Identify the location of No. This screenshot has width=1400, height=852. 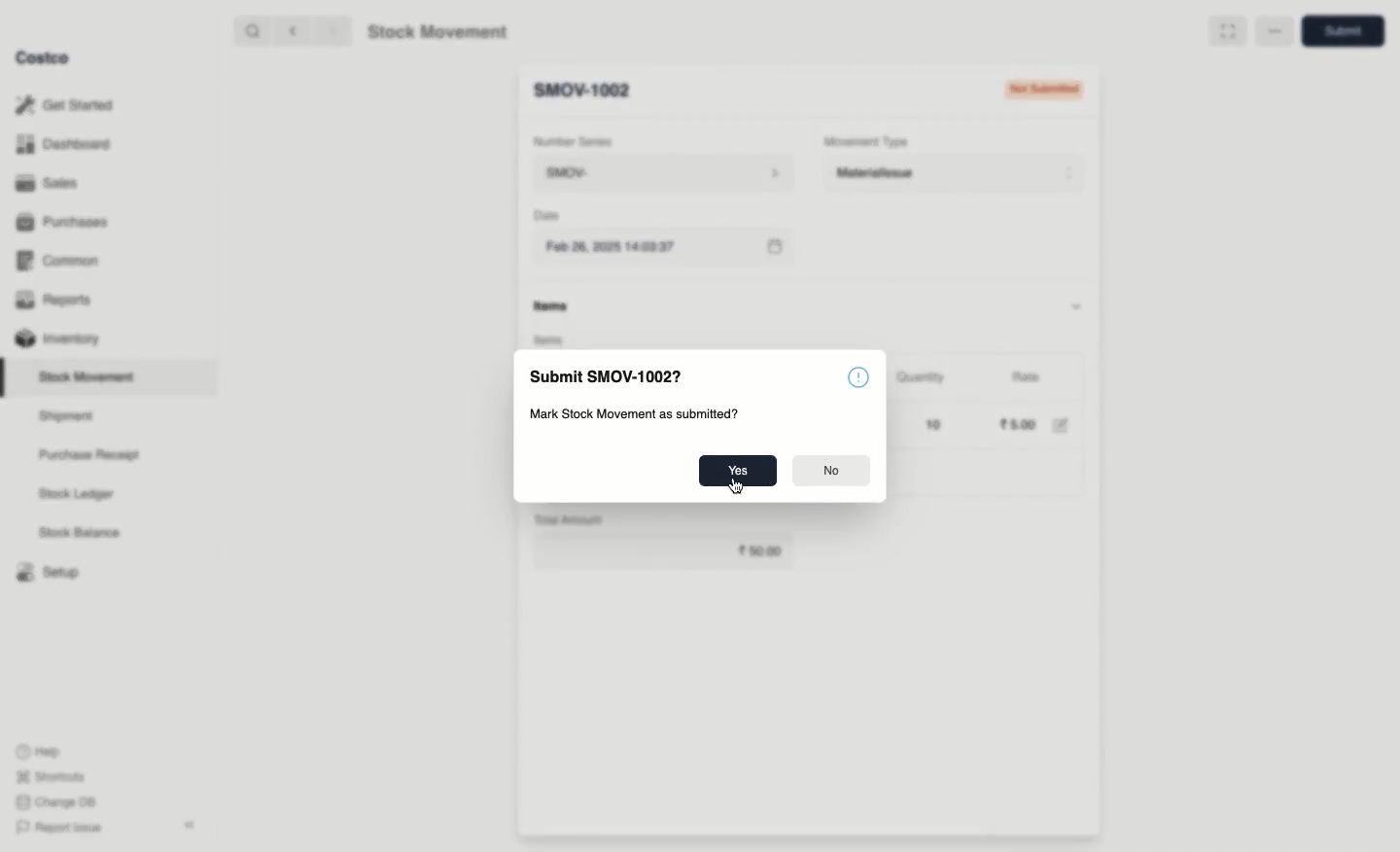
(833, 472).